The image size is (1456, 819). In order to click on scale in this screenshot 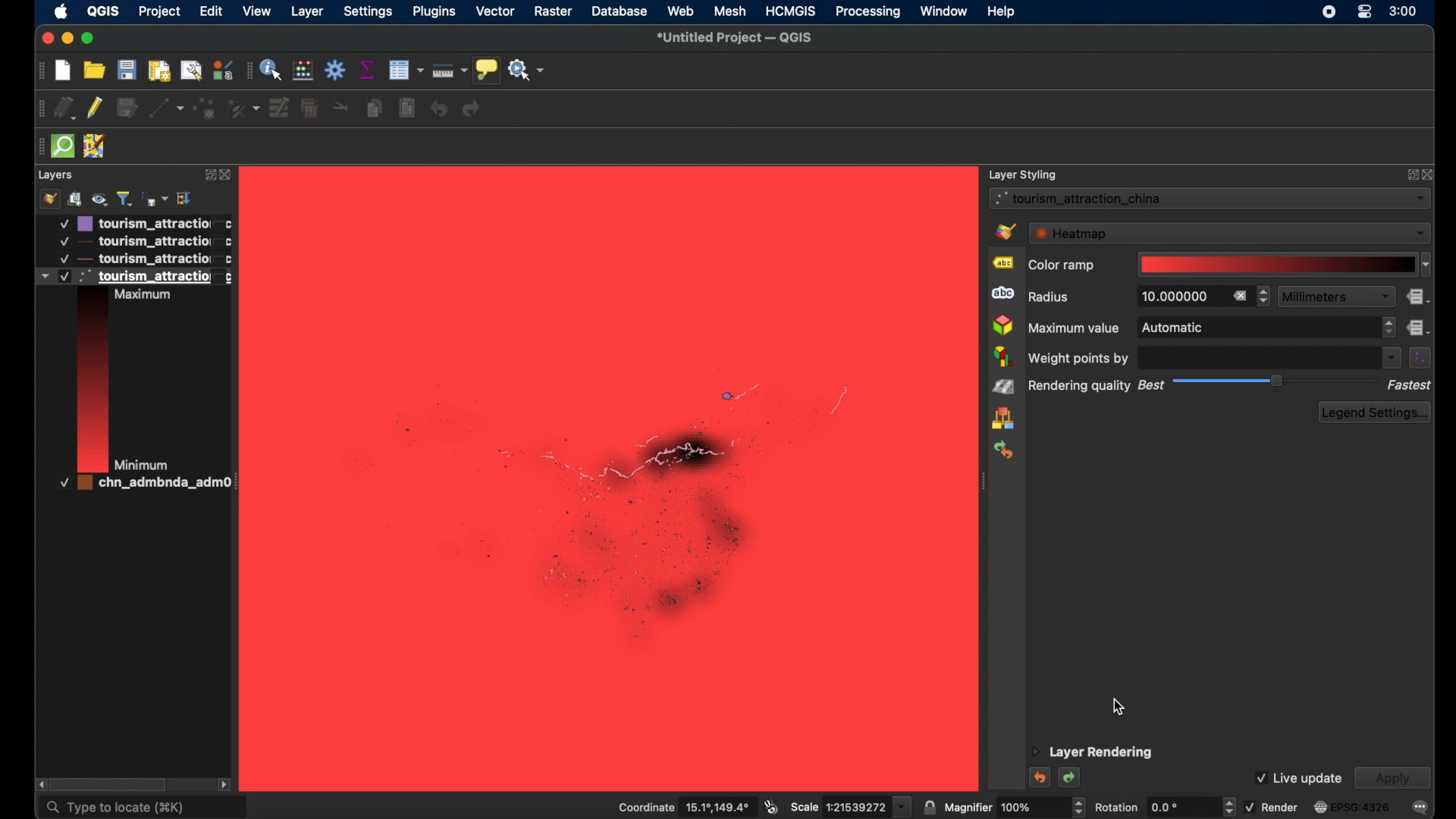, I will do `click(851, 806)`.